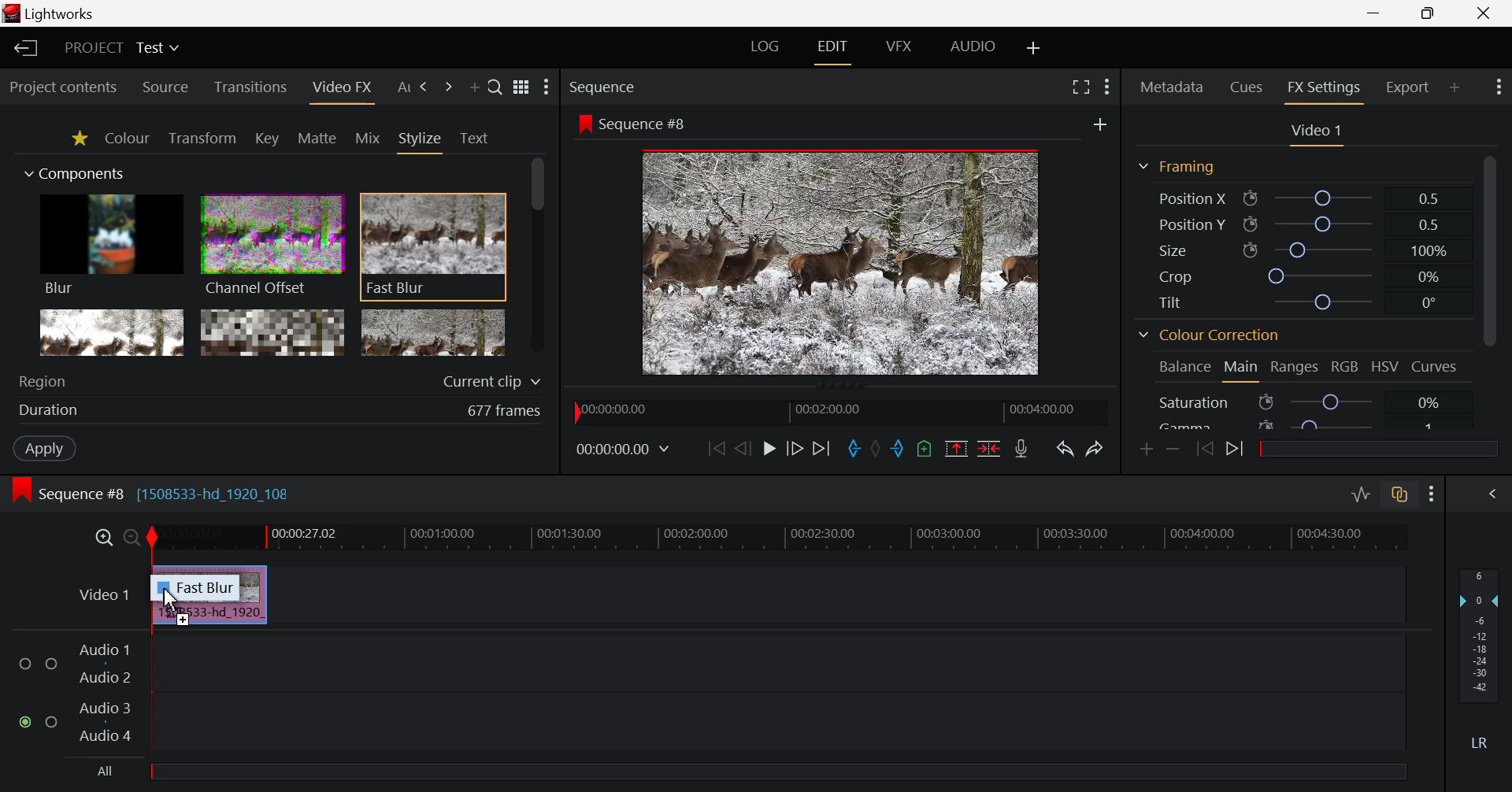  Describe the element at coordinates (1303, 198) in the screenshot. I see `Position X` at that location.